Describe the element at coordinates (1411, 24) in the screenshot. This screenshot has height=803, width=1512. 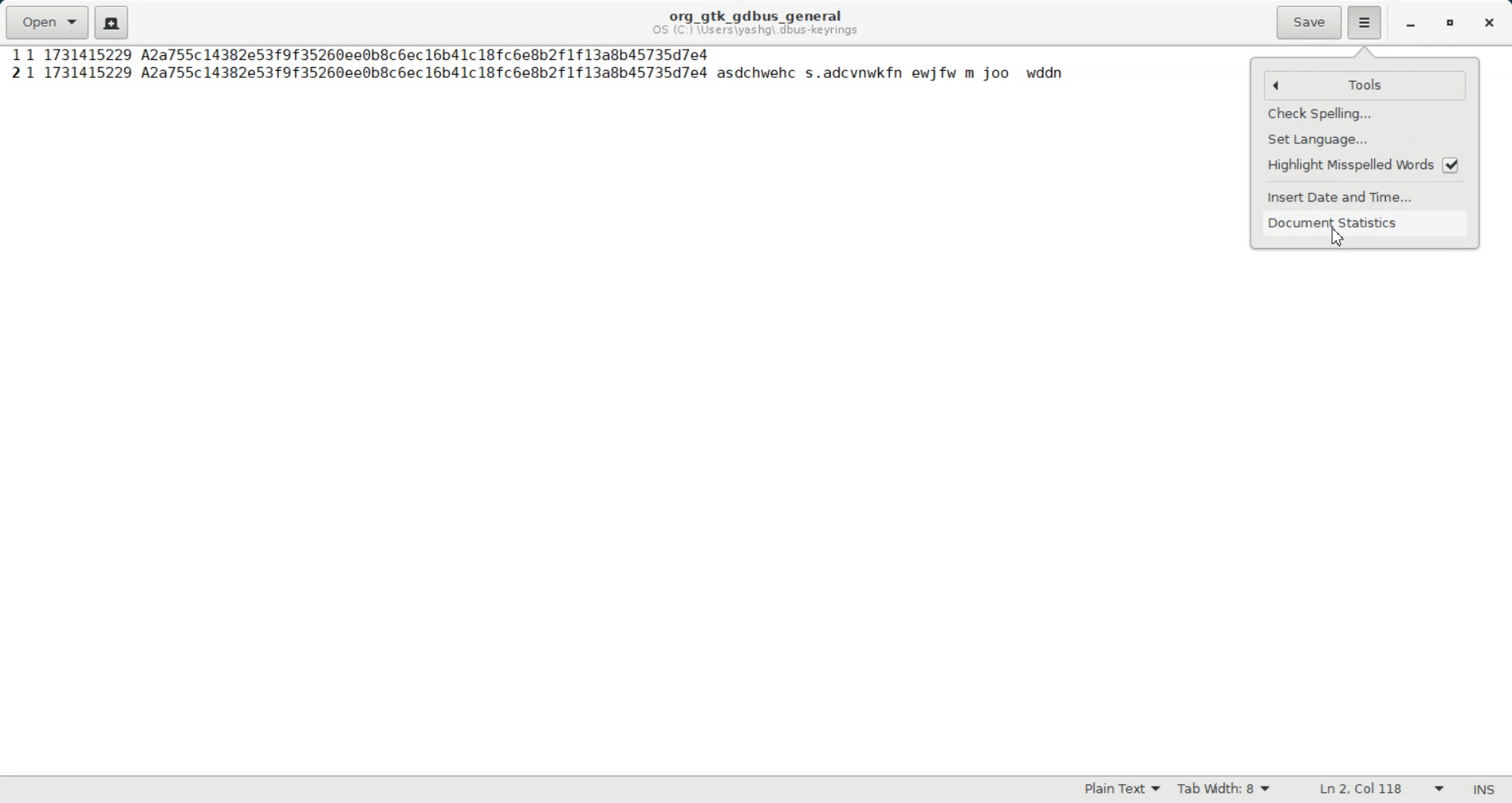
I see `Minimize` at that location.